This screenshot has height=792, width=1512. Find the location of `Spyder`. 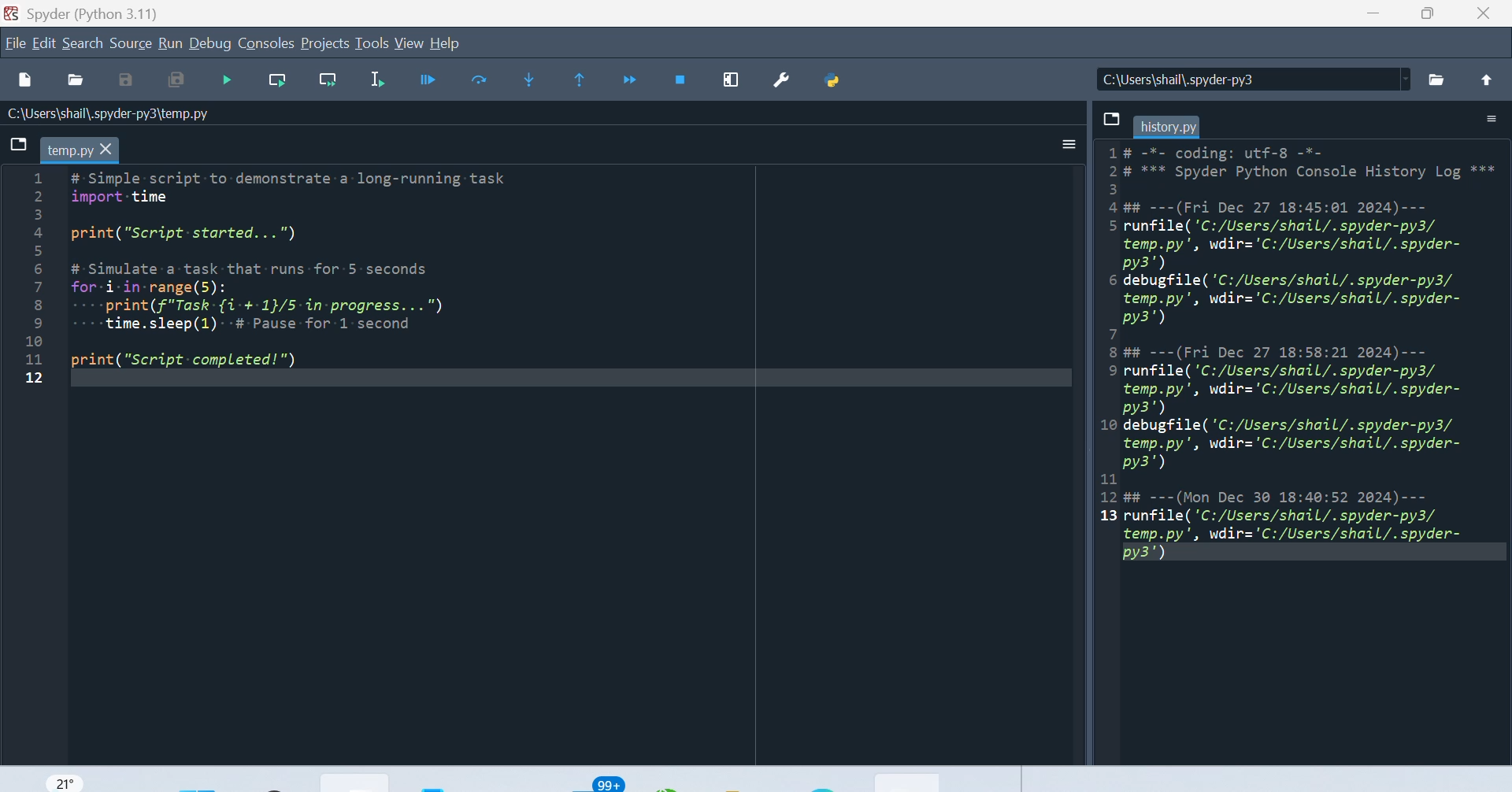

Spyder is located at coordinates (98, 13).